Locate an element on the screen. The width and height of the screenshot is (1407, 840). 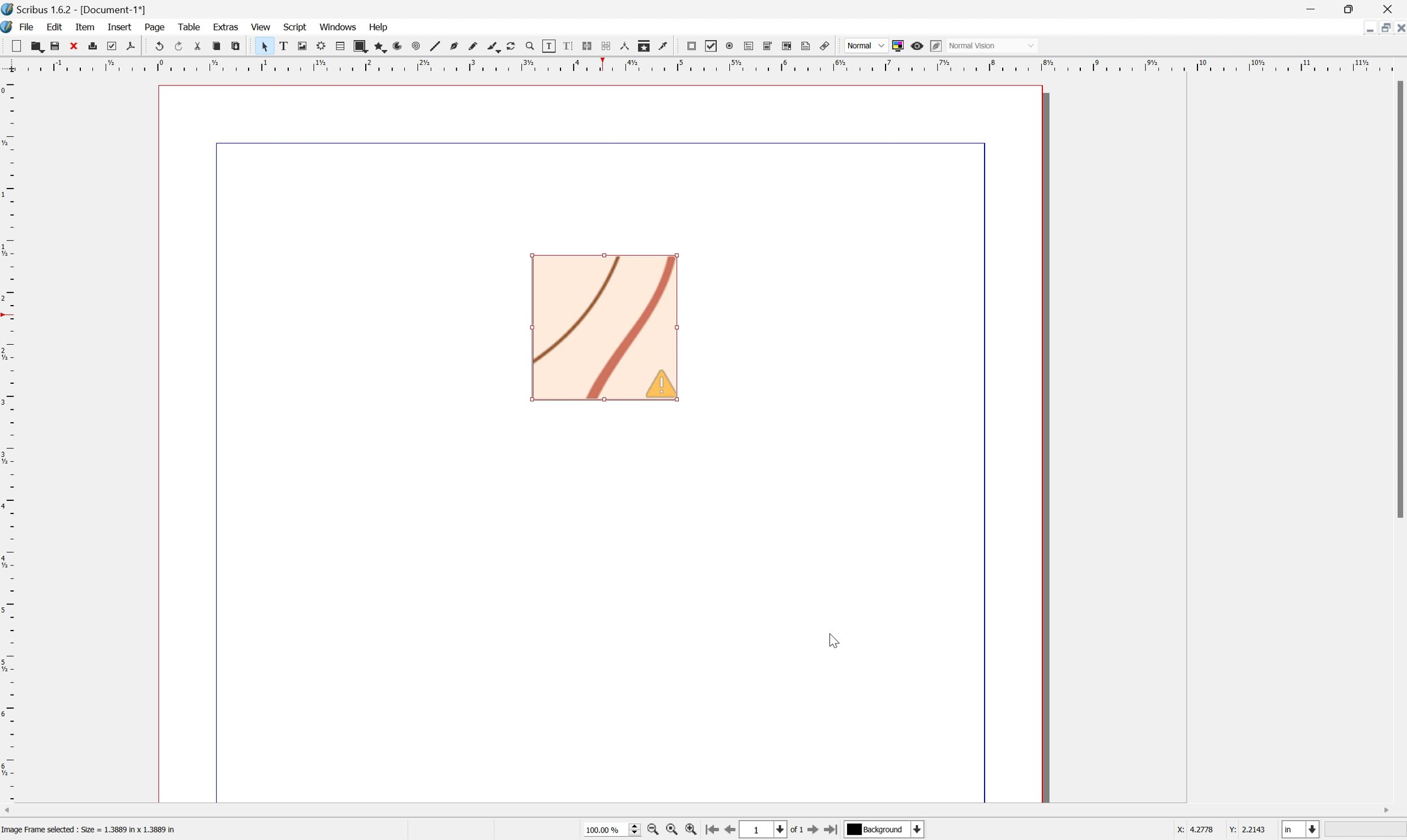
Scroll bar is located at coordinates (1398, 299).